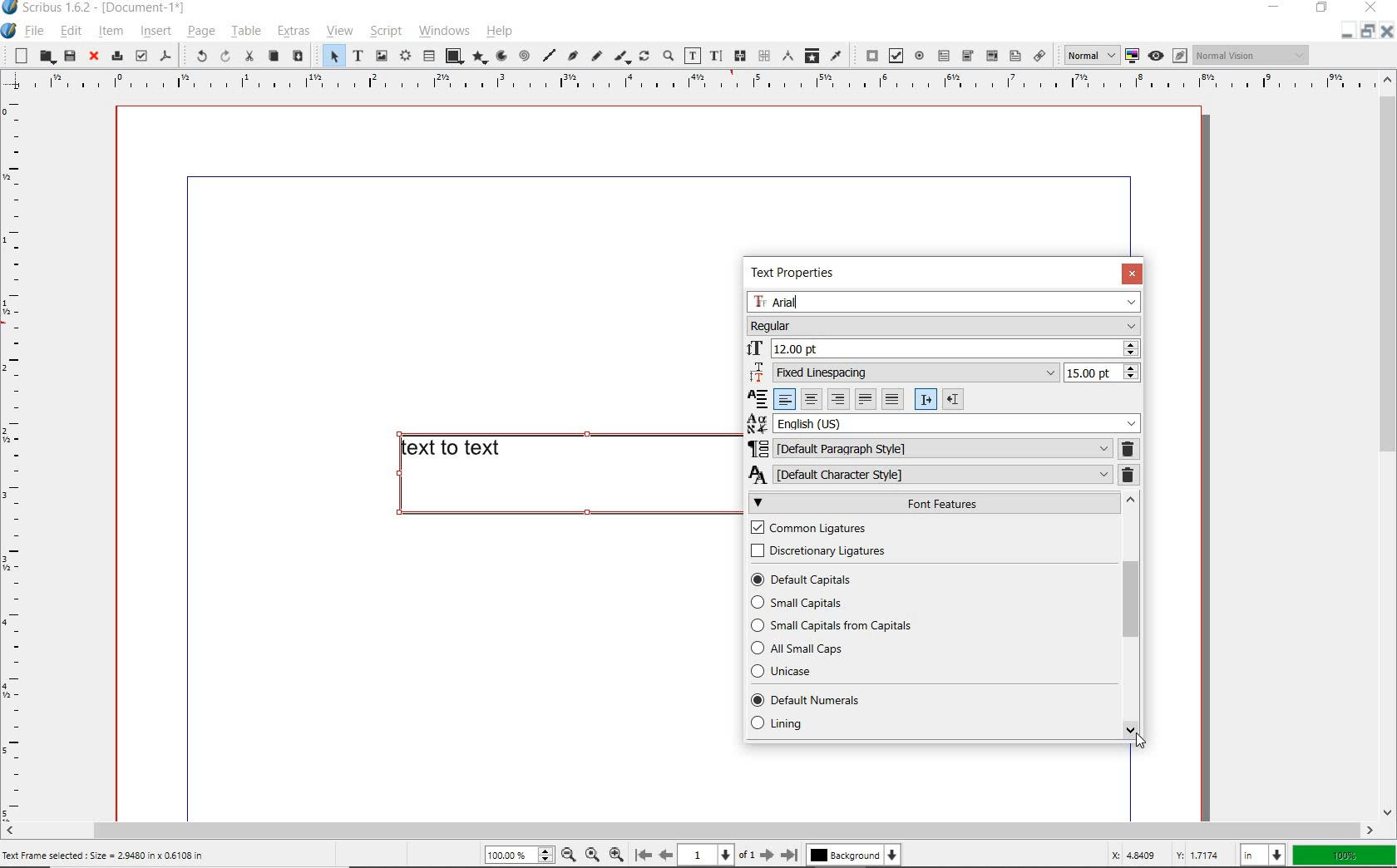  Describe the element at coordinates (803, 649) in the screenshot. I see `ALL SMALL CAPS` at that location.